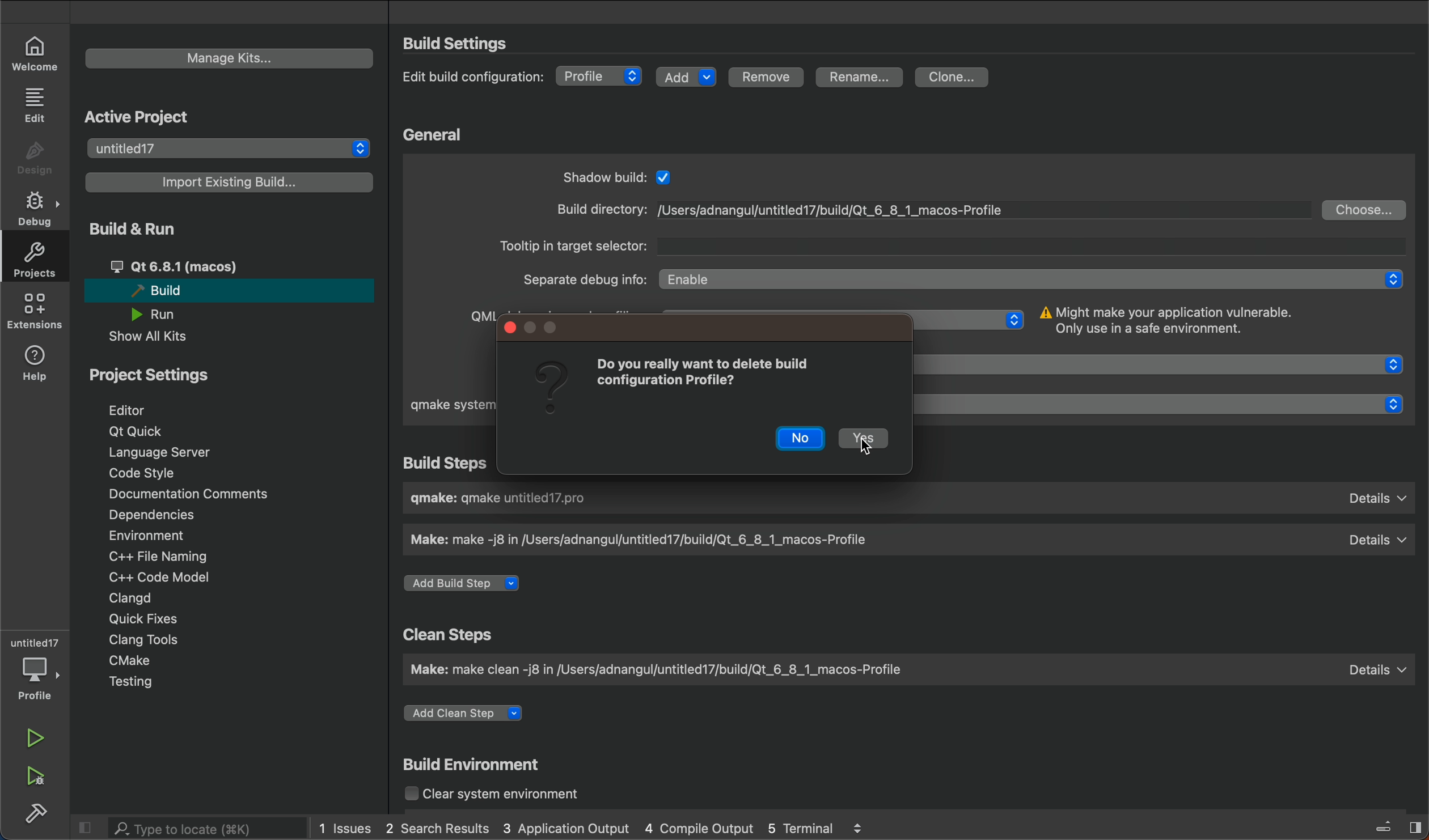 This screenshot has height=840, width=1429. What do you see at coordinates (235, 375) in the screenshot?
I see `project settings` at bounding box center [235, 375].